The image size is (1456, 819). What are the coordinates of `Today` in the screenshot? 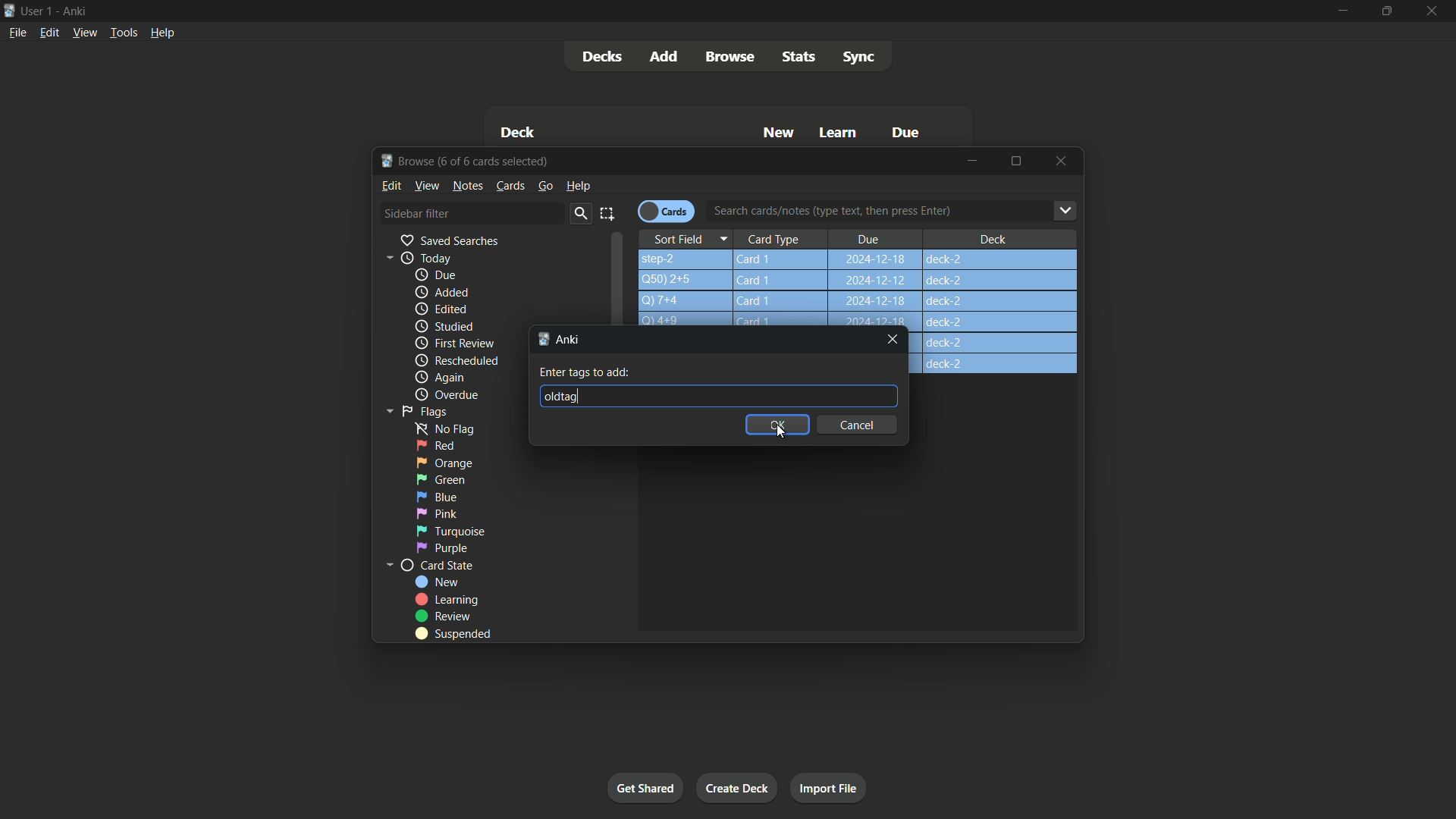 It's located at (414, 258).